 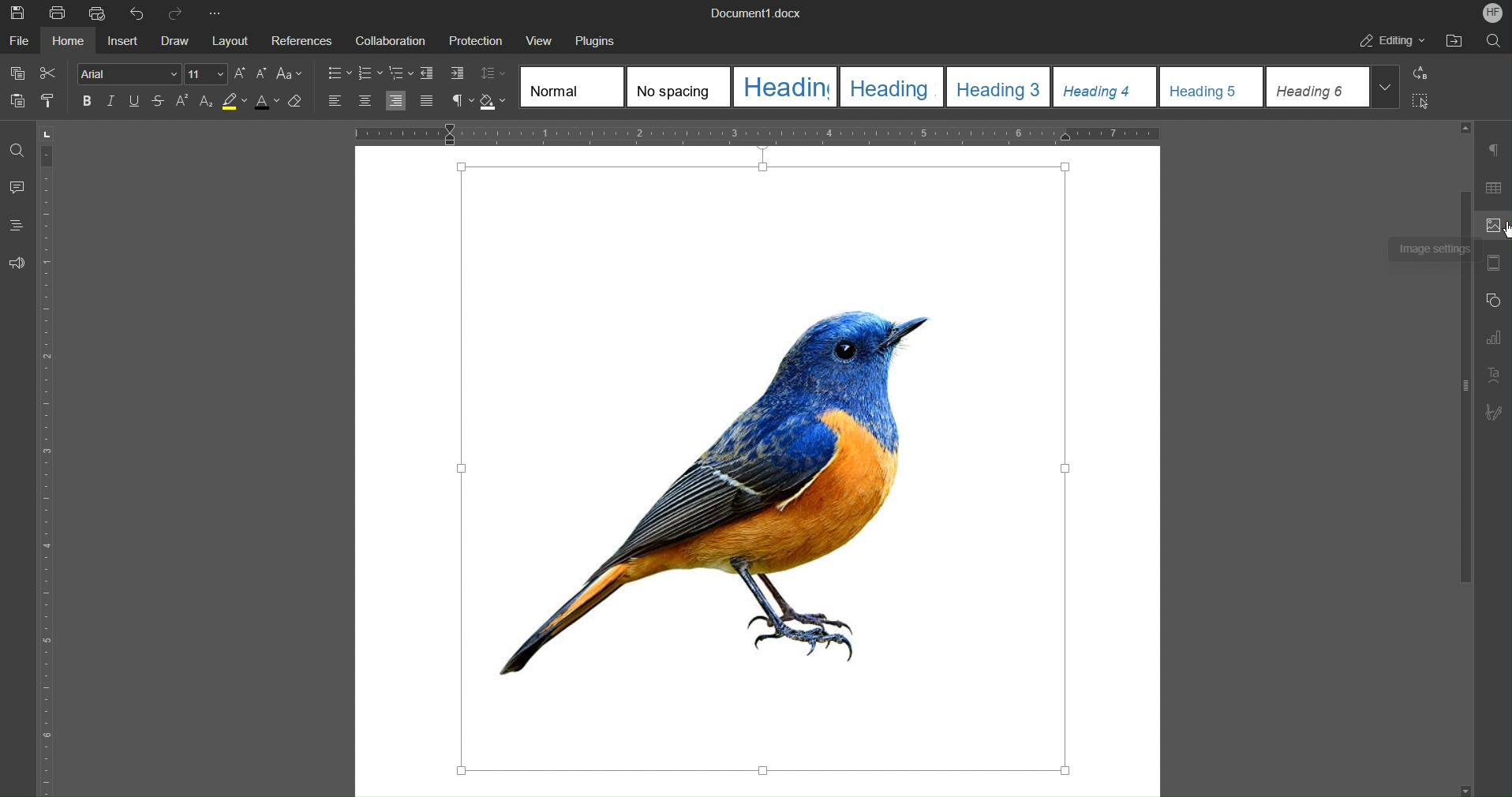 What do you see at coordinates (1494, 12) in the screenshot?
I see `Account` at bounding box center [1494, 12].